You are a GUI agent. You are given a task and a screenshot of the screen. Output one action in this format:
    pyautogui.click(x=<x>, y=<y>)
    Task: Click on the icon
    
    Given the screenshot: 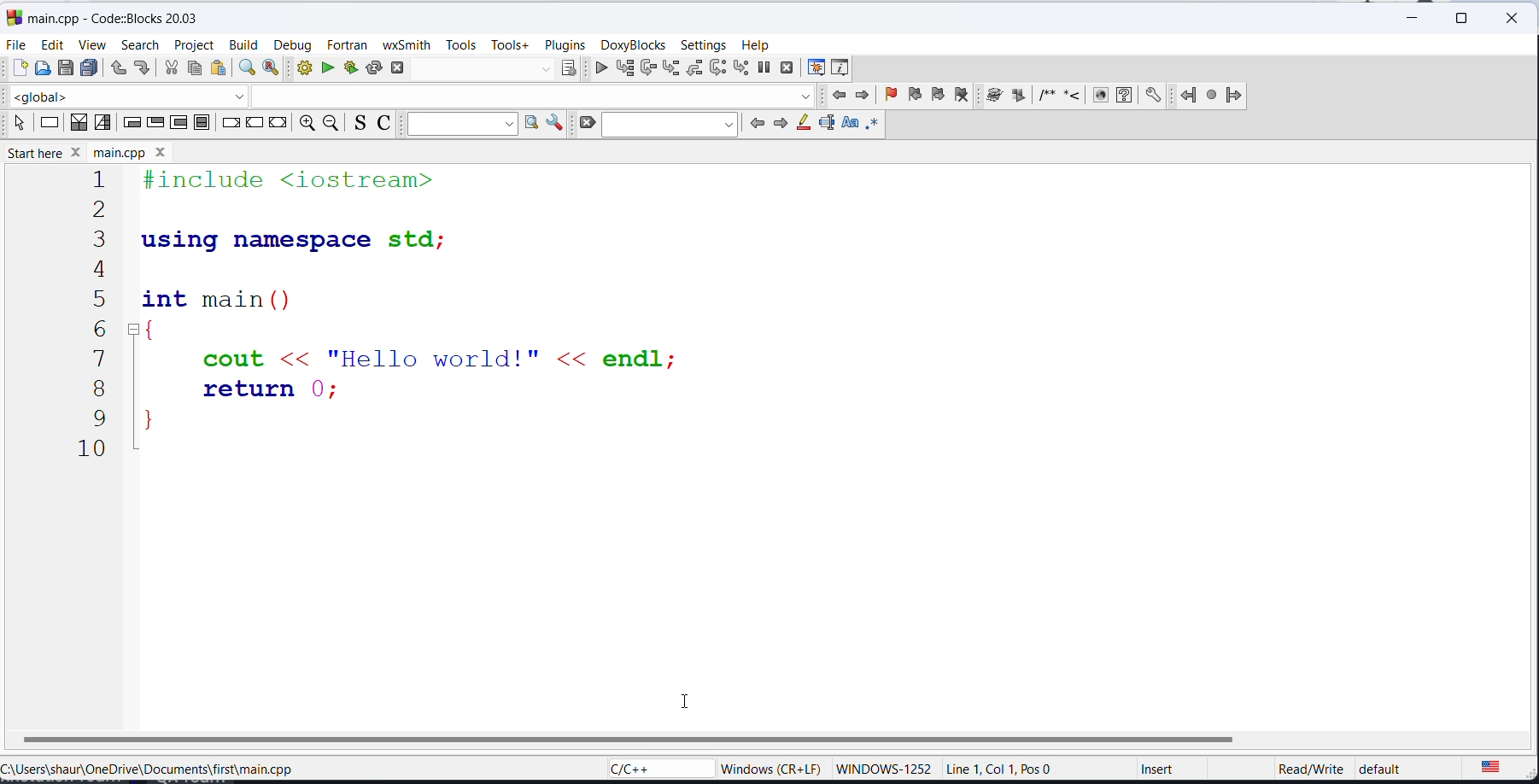 What is the action you would take?
    pyautogui.click(x=1017, y=97)
    